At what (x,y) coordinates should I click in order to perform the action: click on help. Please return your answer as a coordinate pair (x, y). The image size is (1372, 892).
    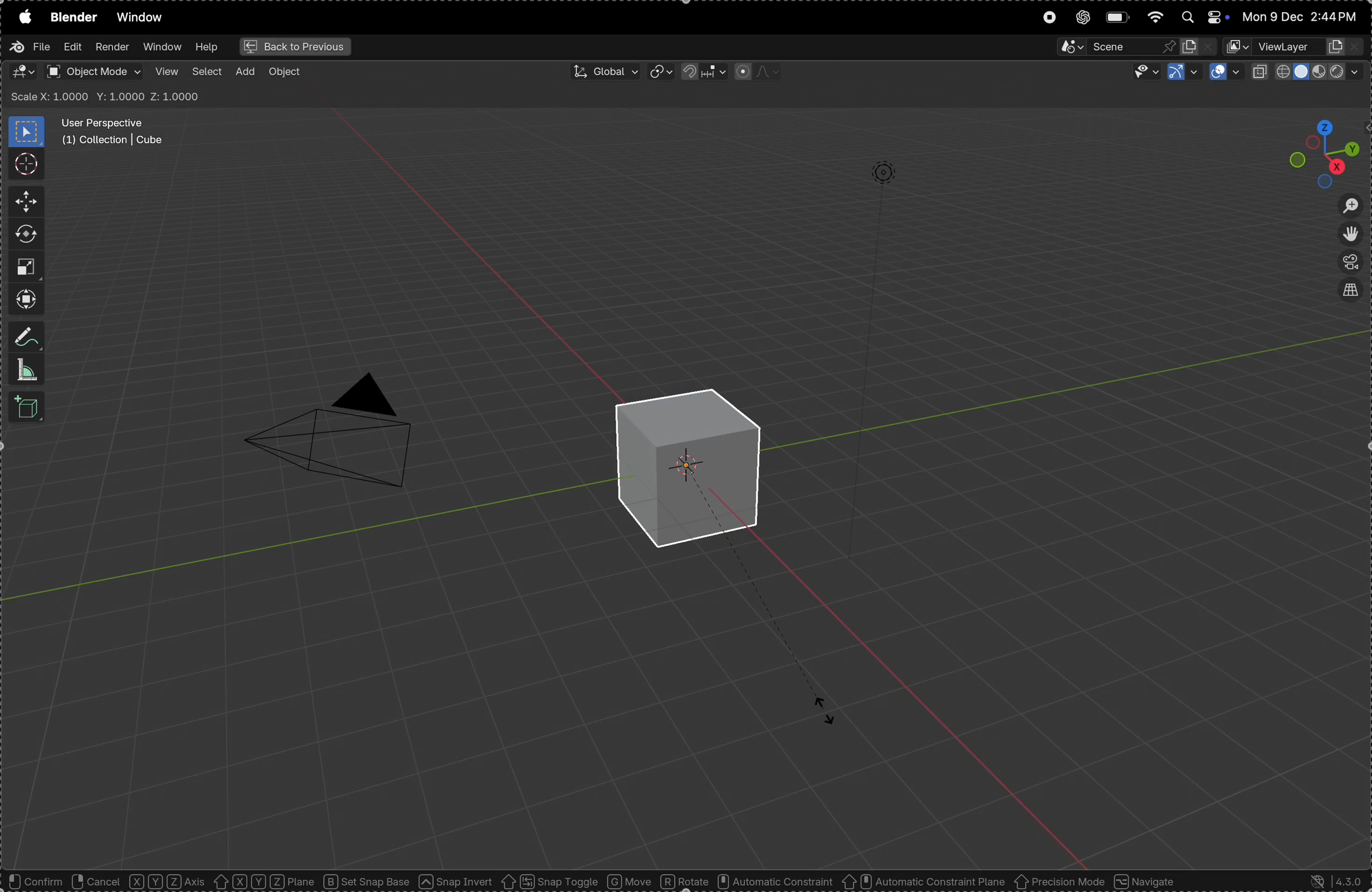
    Looking at the image, I should click on (208, 47).